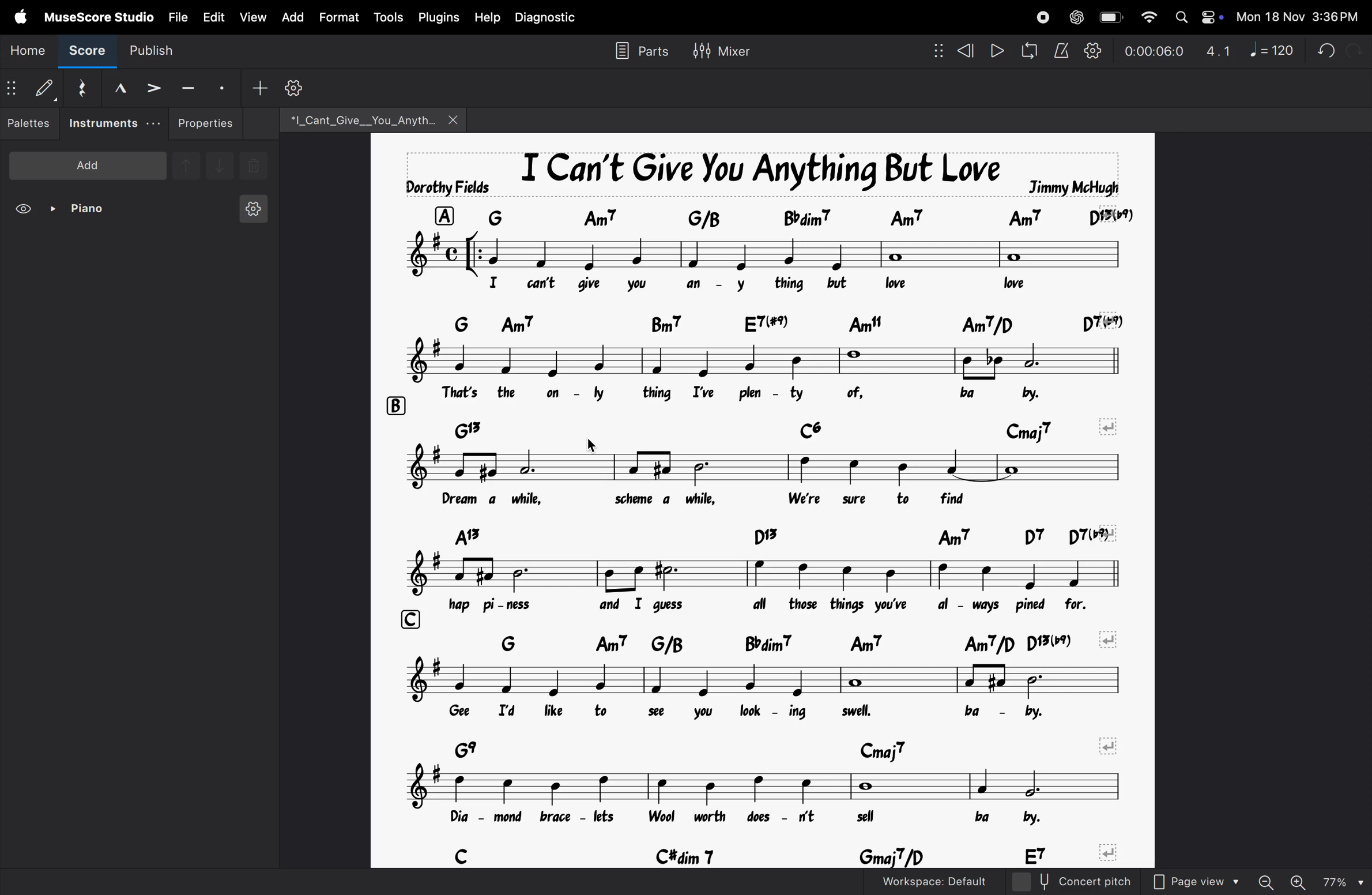 The height and width of the screenshot is (895, 1372). Describe the element at coordinates (1298, 17) in the screenshot. I see `date and time` at that location.